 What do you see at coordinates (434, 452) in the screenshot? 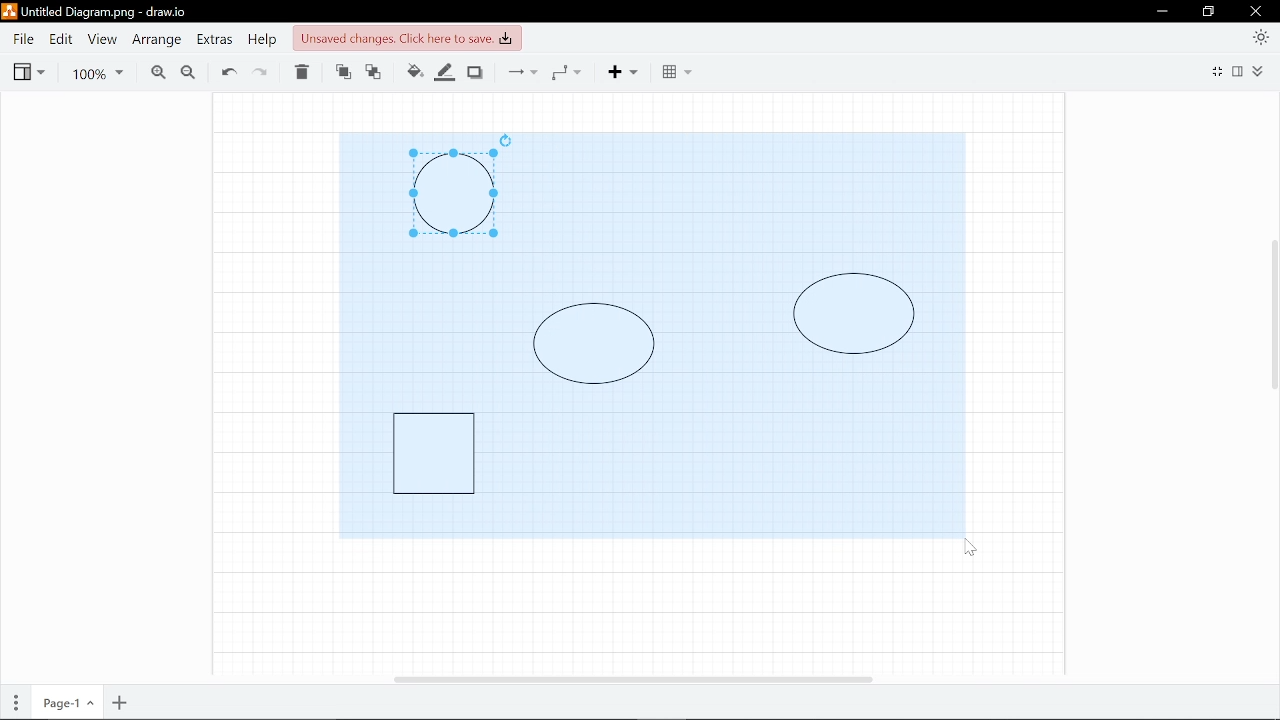
I see `Diagram` at bounding box center [434, 452].